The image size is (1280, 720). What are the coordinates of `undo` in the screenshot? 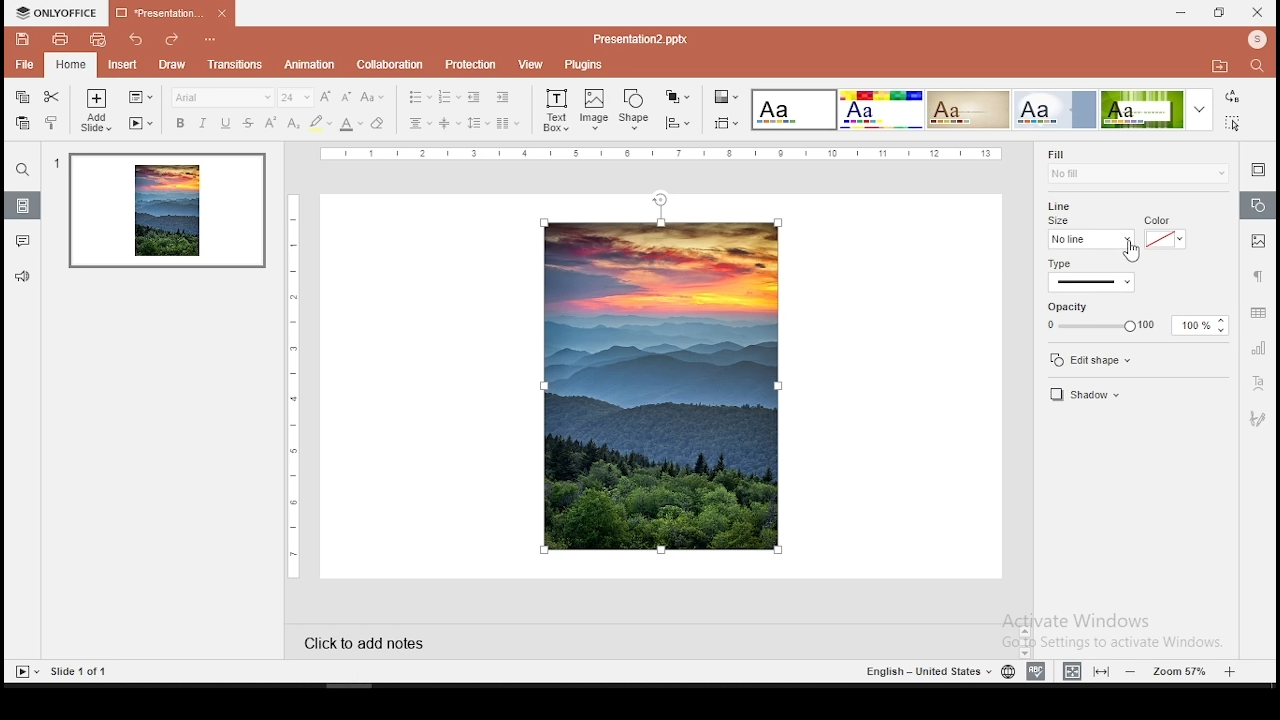 It's located at (135, 42).